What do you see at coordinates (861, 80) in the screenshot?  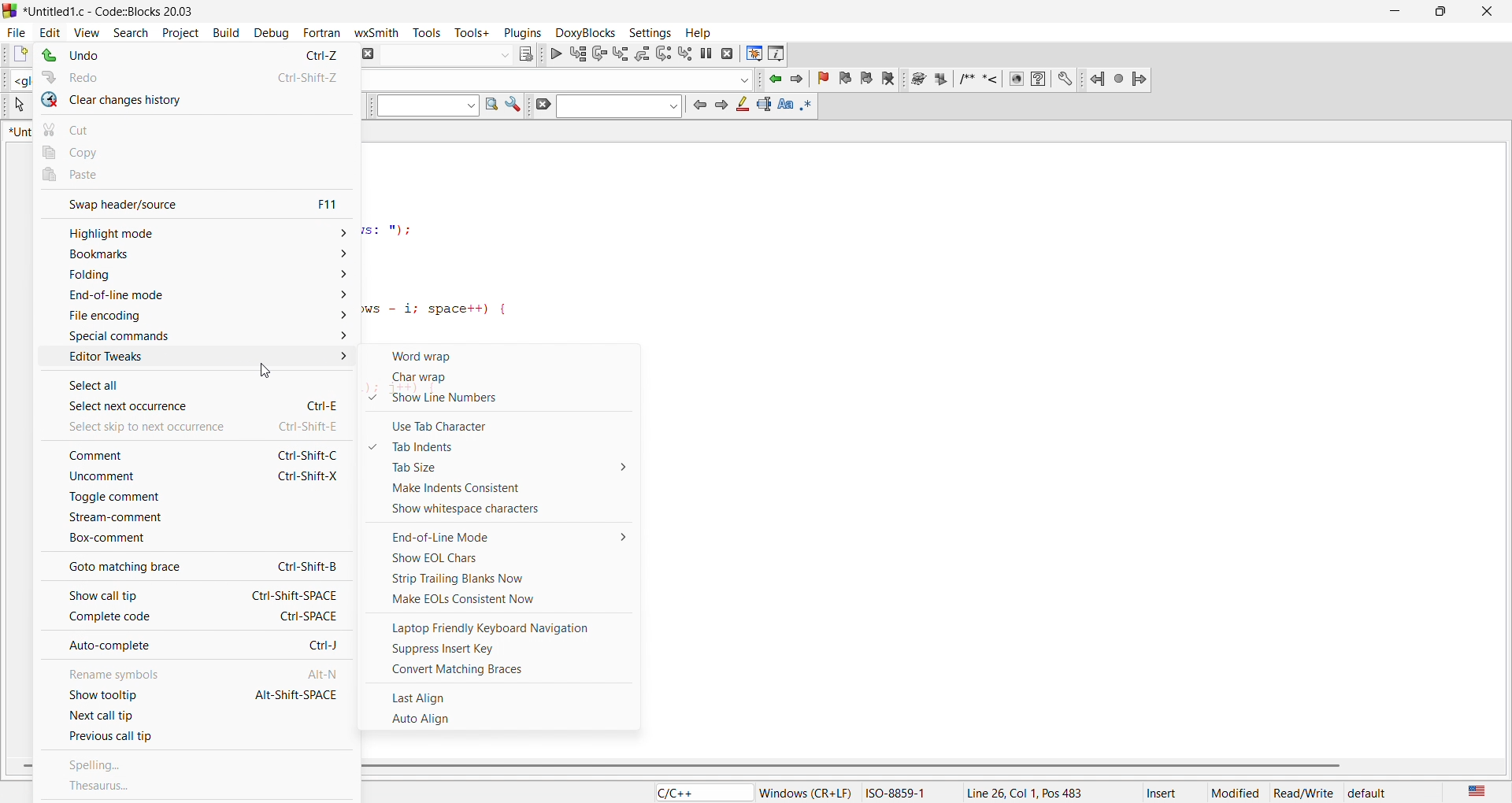 I see `bookmark icon` at bounding box center [861, 80].